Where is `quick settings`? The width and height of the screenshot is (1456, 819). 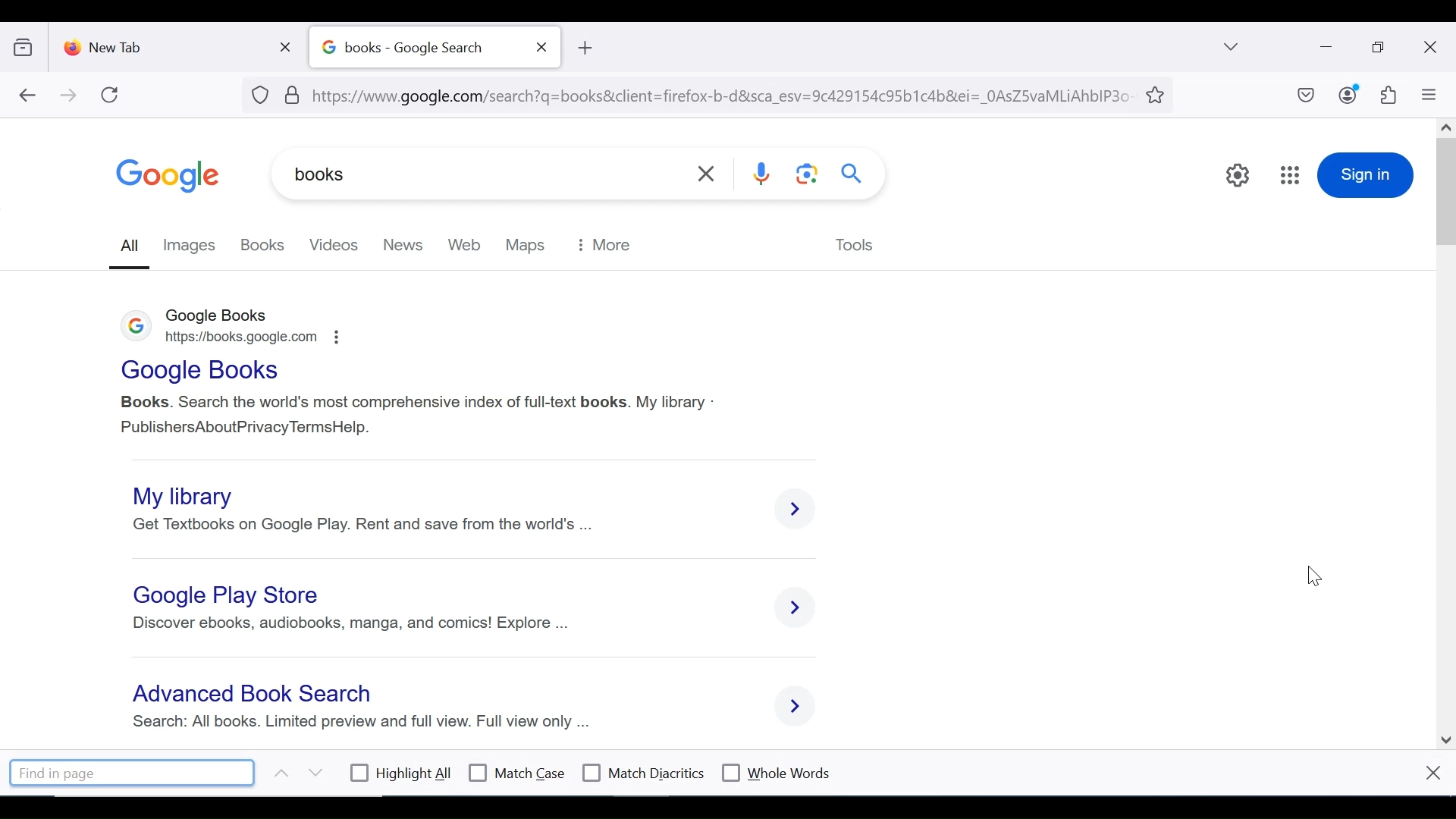 quick settings is located at coordinates (1237, 176).